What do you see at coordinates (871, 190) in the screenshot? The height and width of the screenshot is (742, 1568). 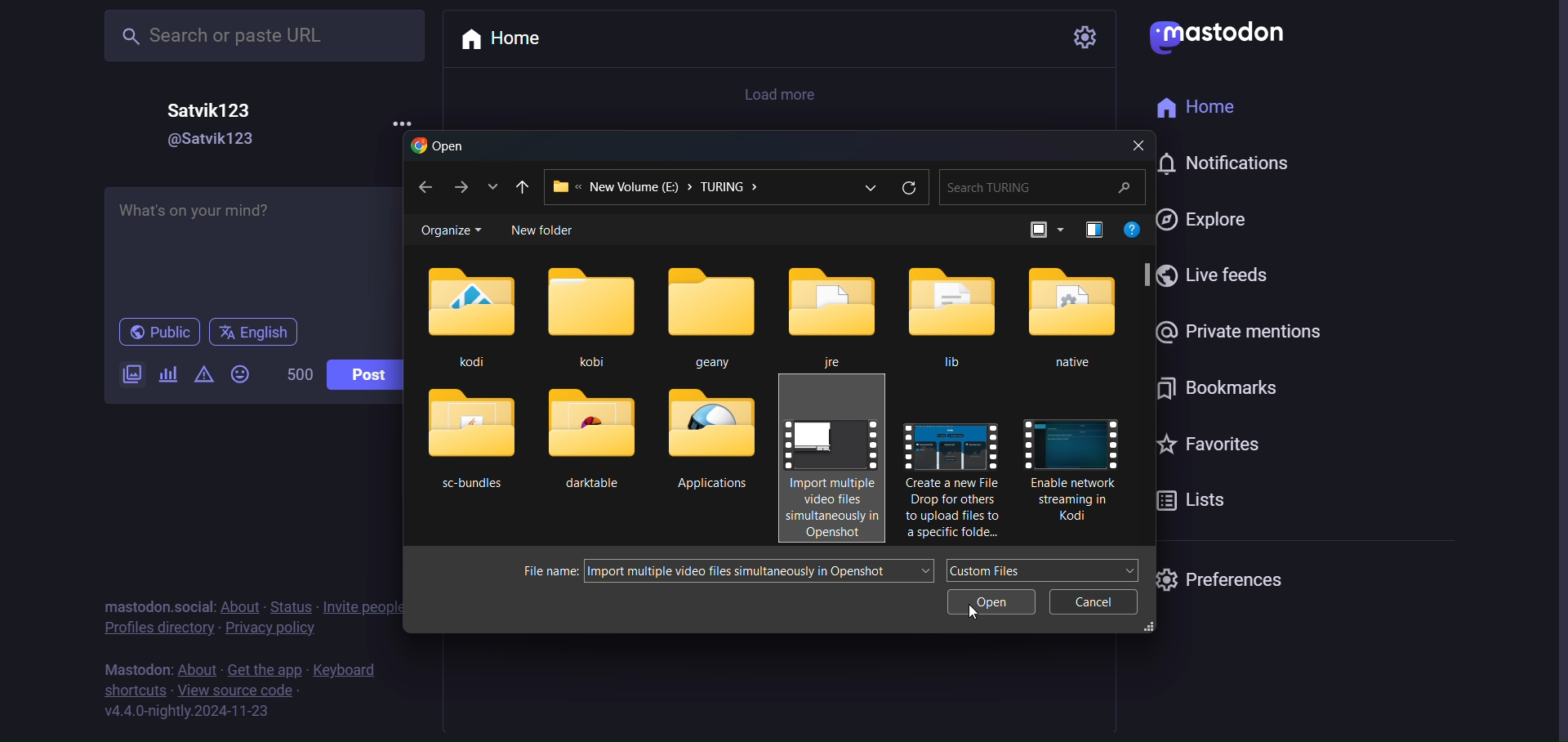 I see `dropdown` at bounding box center [871, 190].